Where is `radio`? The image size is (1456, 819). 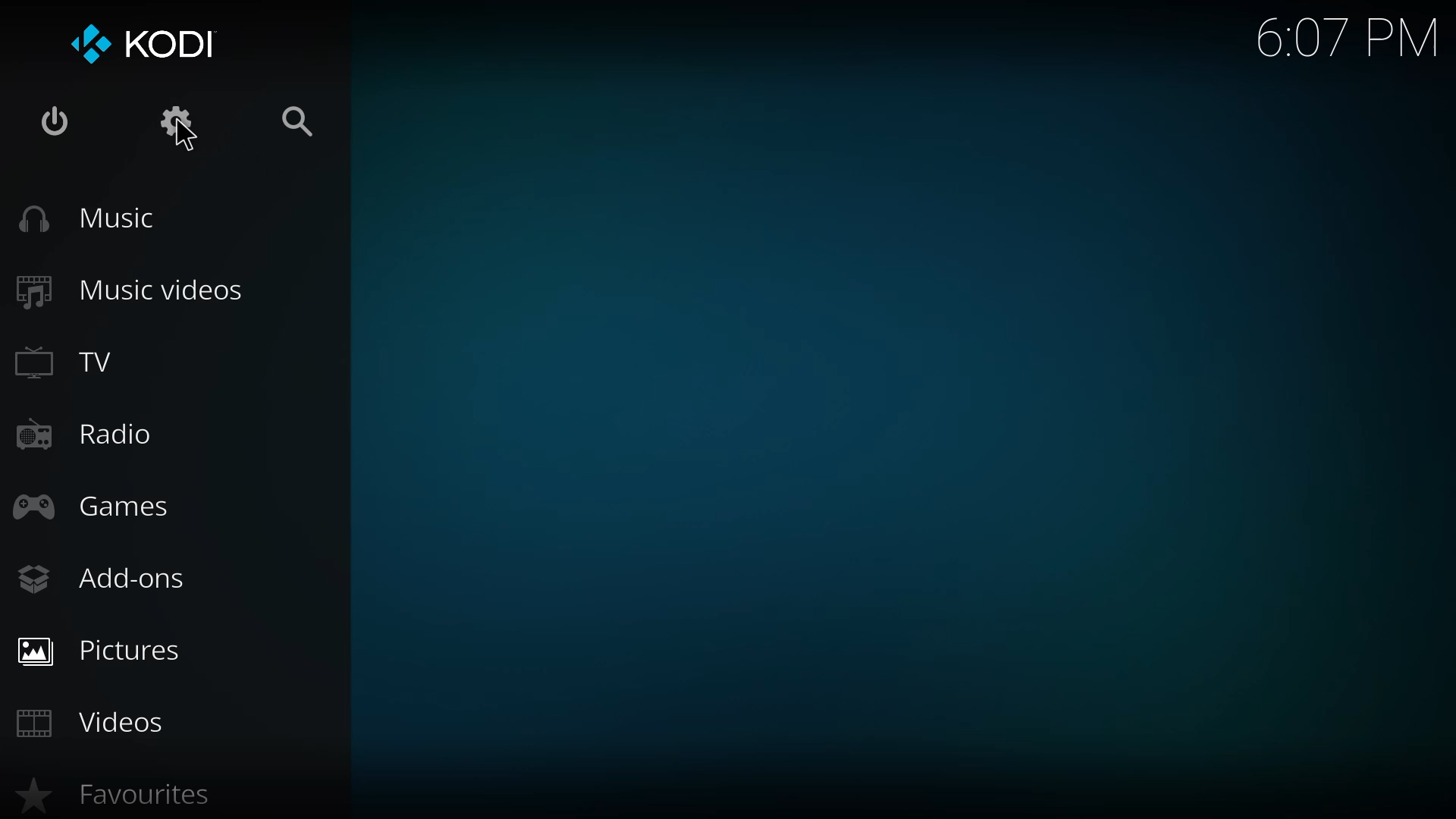
radio is located at coordinates (83, 435).